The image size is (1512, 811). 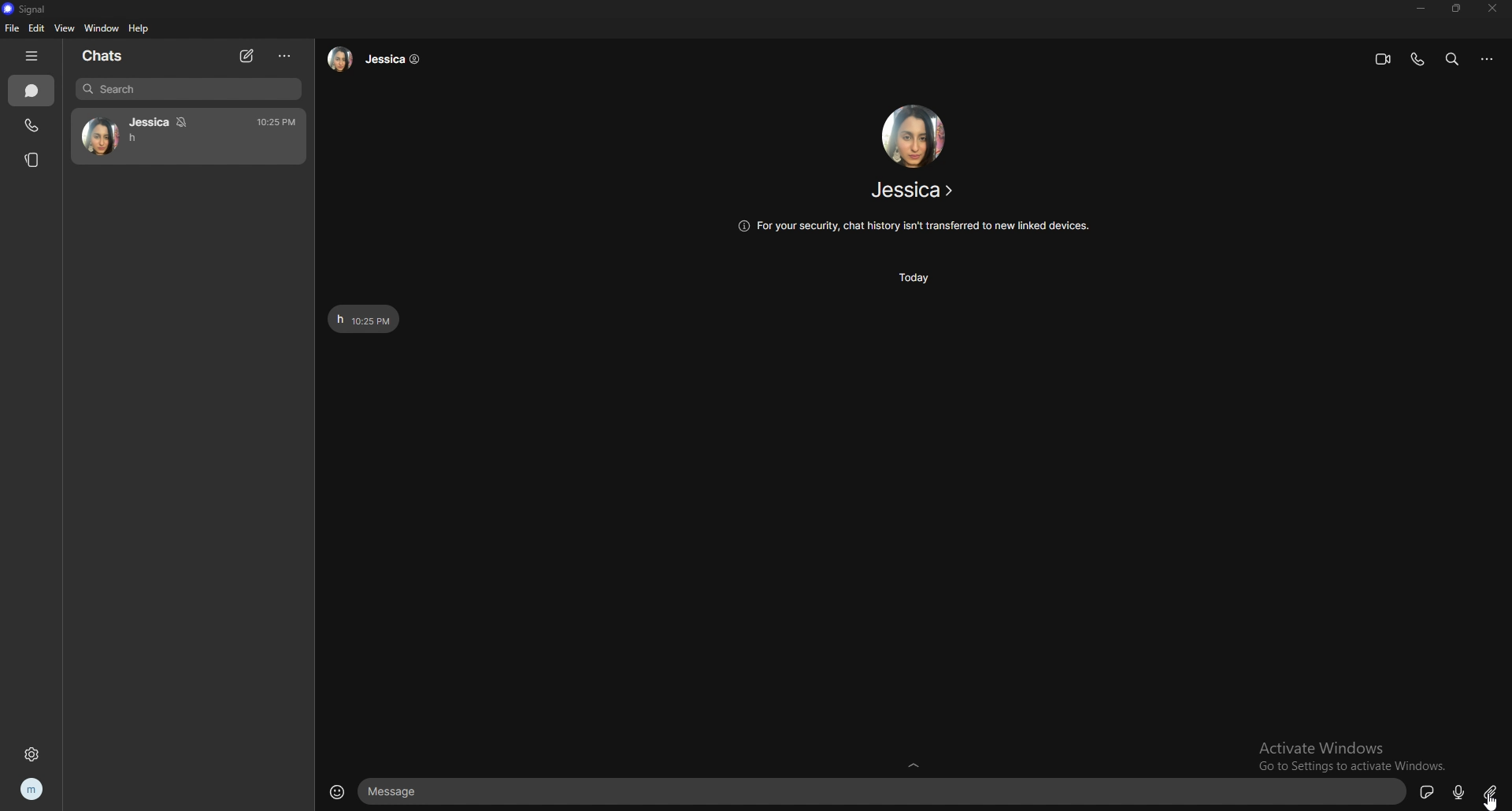 What do you see at coordinates (33, 754) in the screenshot?
I see `settings` at bounding box center [33, 754].